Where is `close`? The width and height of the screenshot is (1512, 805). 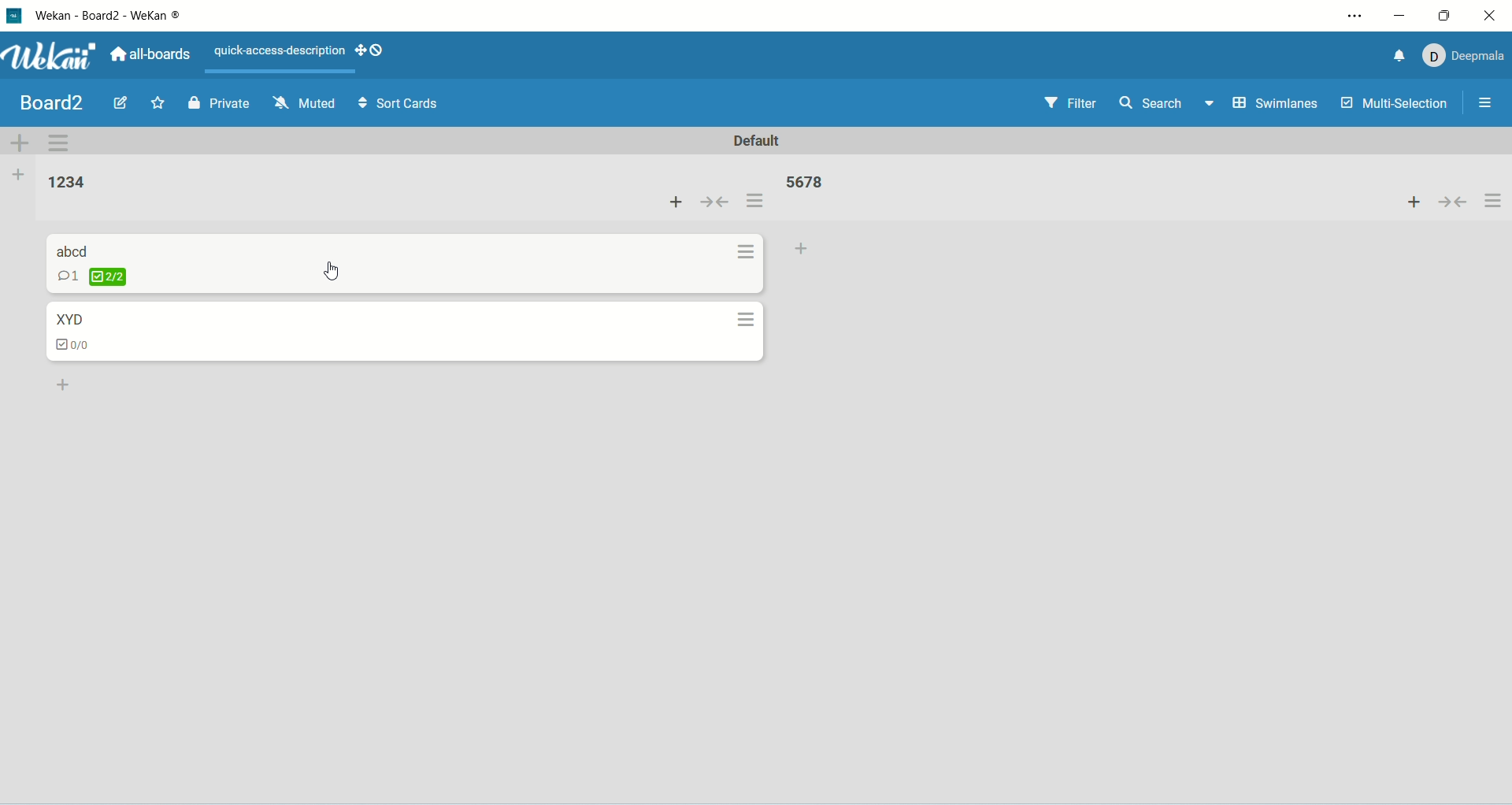 close is located at coordinates (1483, 17).